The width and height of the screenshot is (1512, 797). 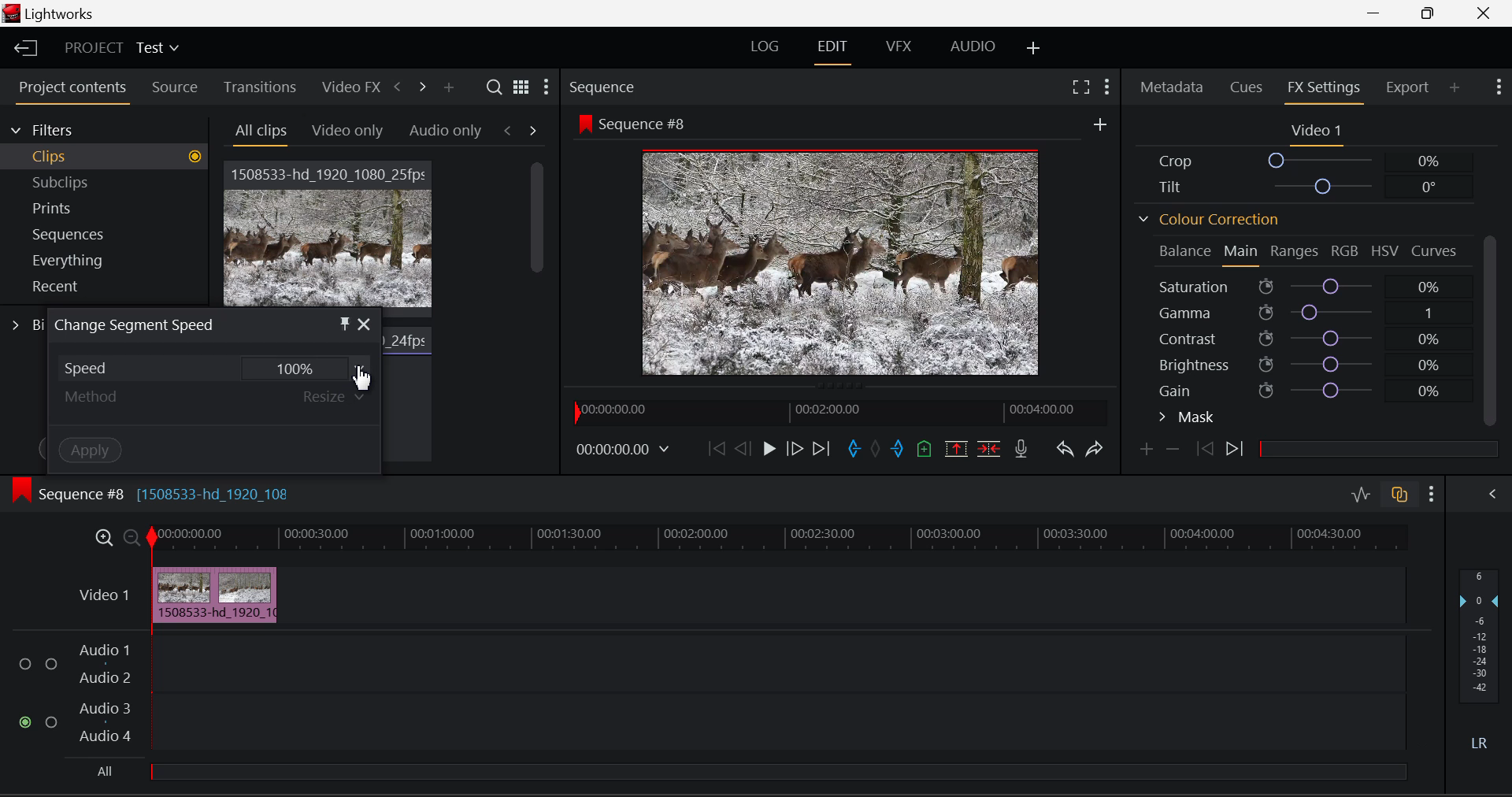 I want to click on Audio Input Field, so click(x=776, y=722).